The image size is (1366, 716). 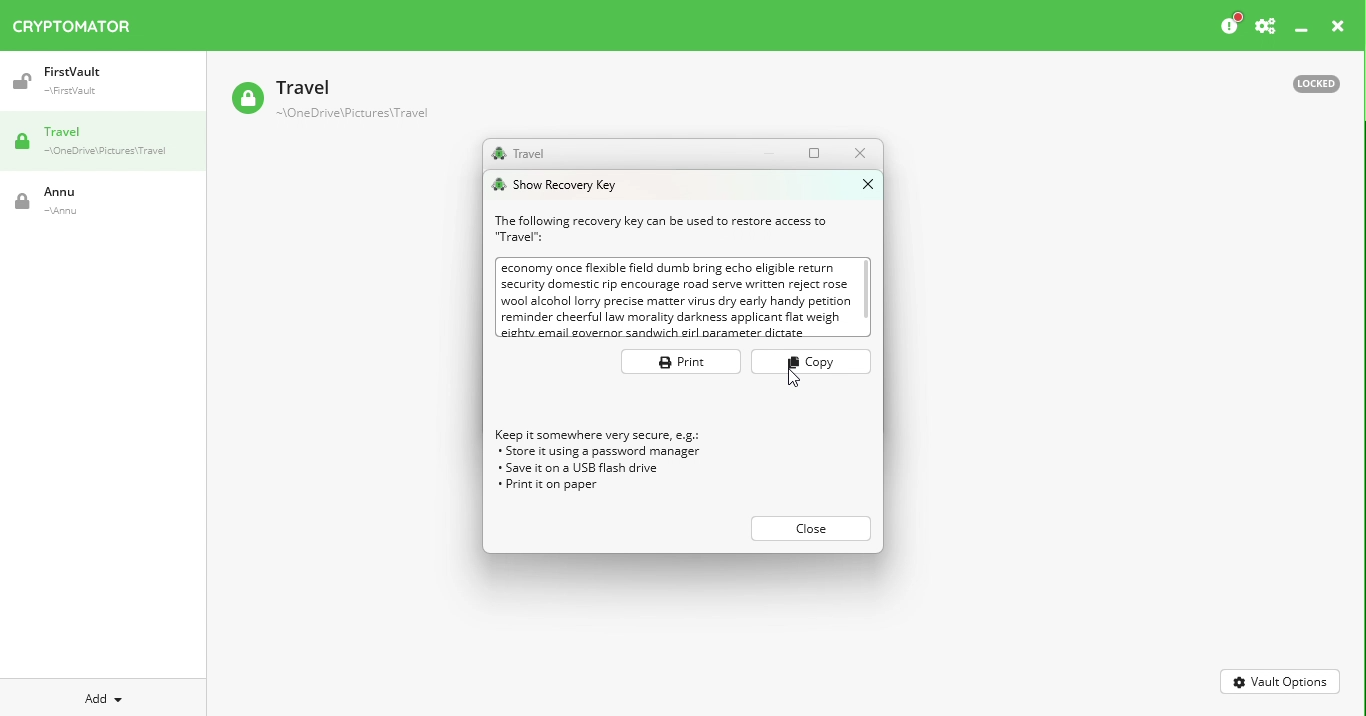 I want to click on Vault options, so click(x=1281, y=680).